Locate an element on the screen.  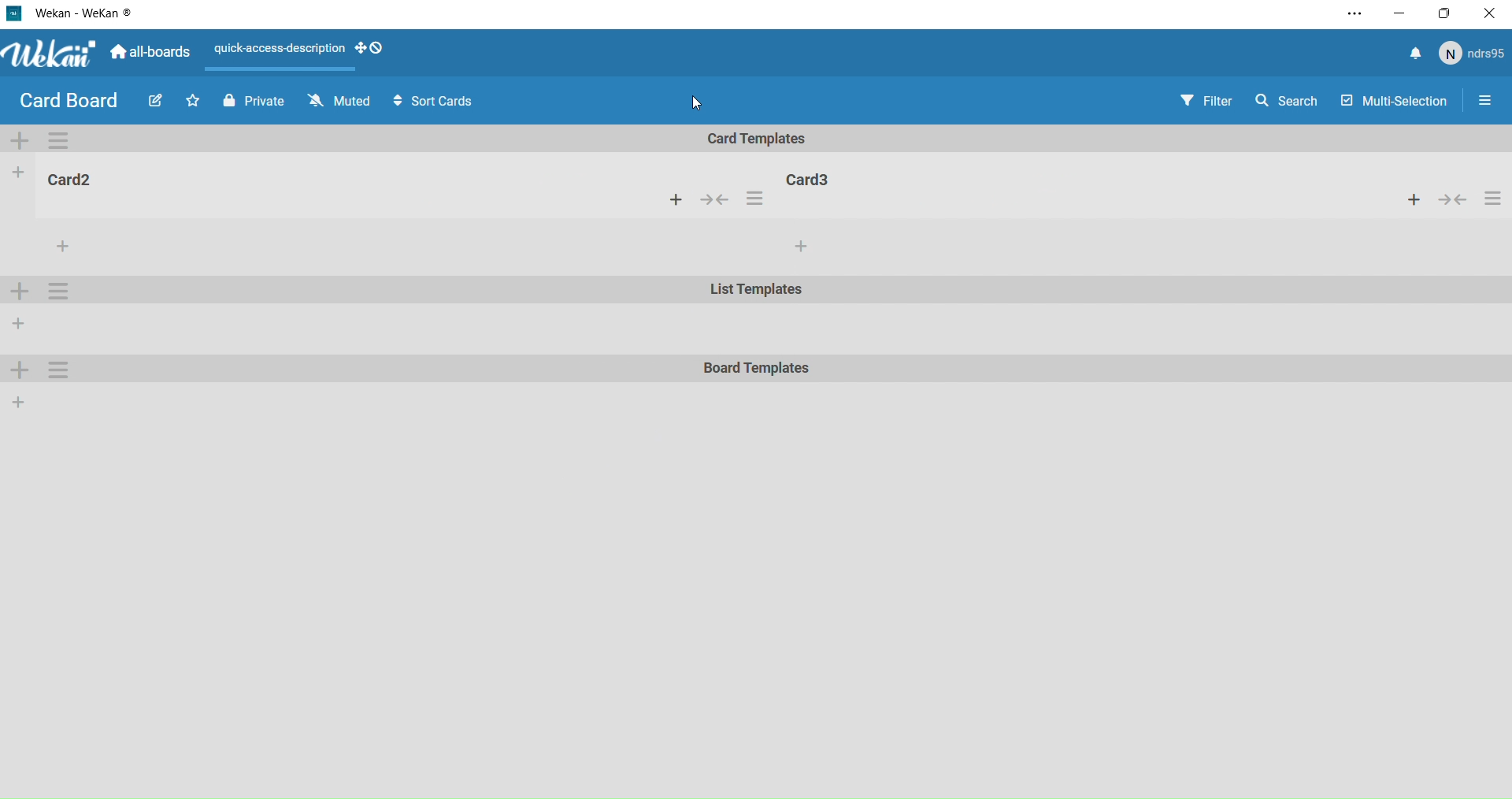
collapse is located at coordinates (1455, 199).